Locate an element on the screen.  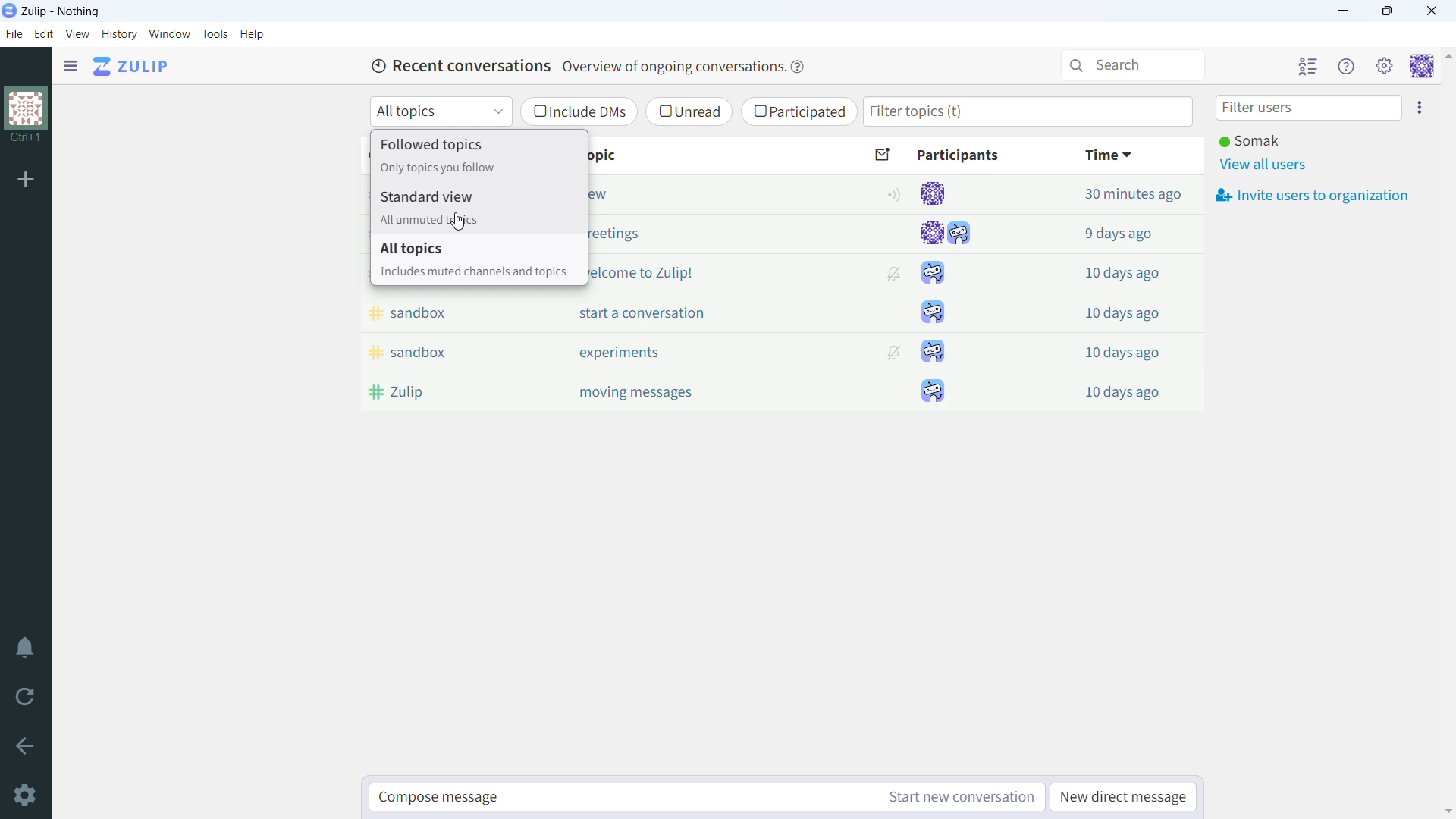
edit is located at coordinates (44, 34).